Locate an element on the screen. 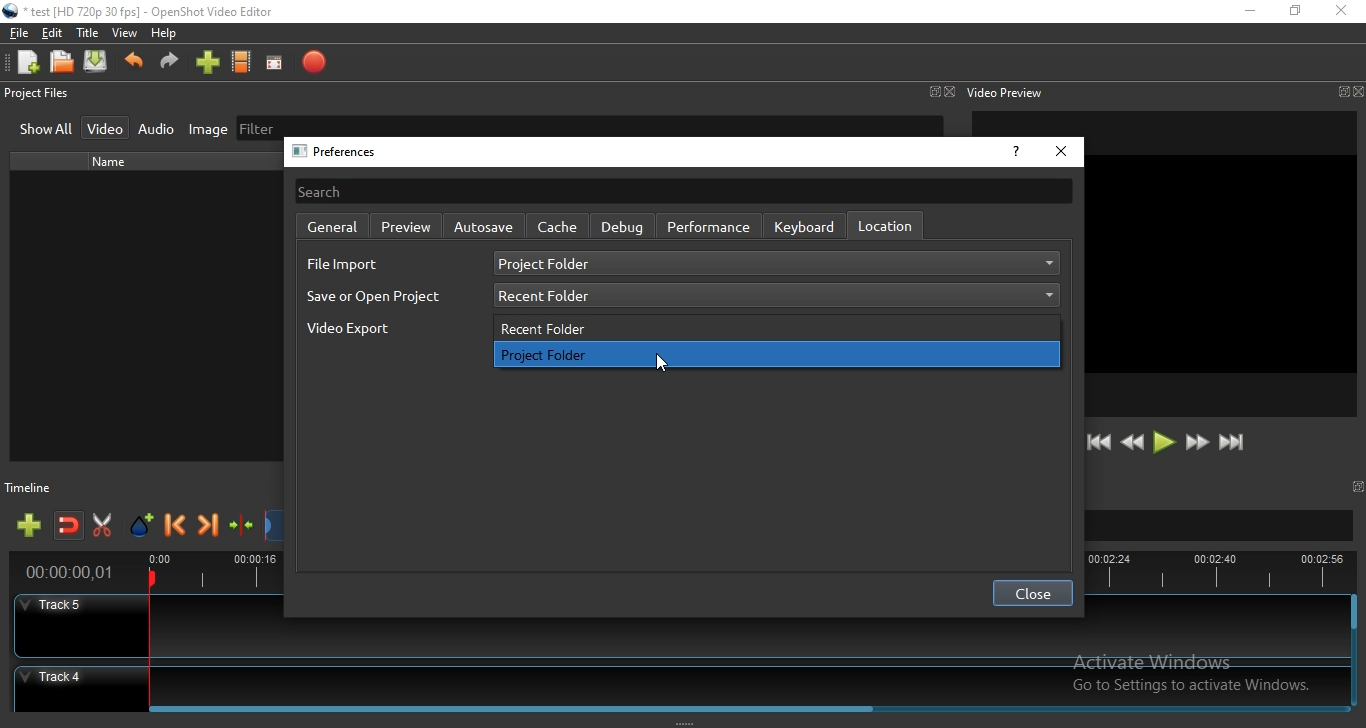 The width and height of the screenshot is (1366, 728). Choose profiles is located at coordinates (242, 63).